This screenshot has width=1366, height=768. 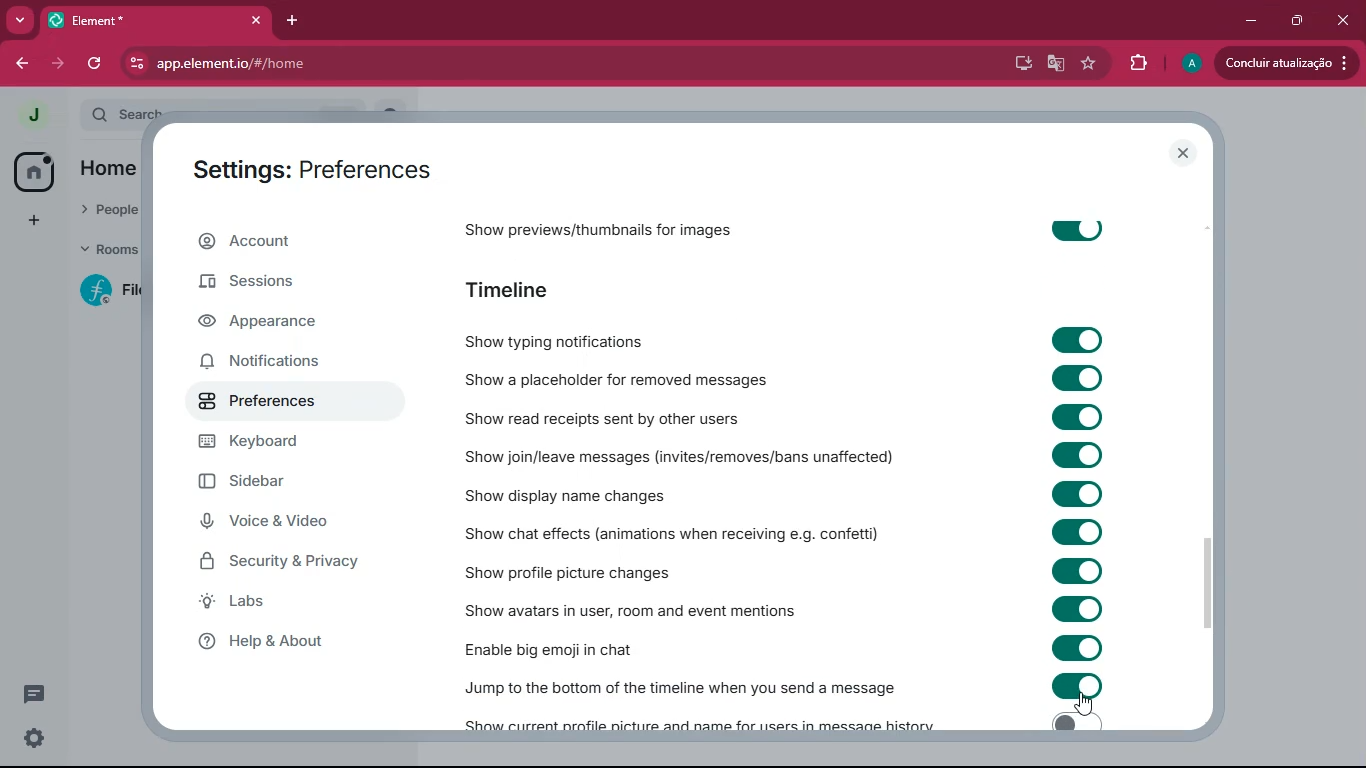 What do you see at coordinates (273, 363) in the screenshot?
I see `notifications` at bounding box center [273, 363].